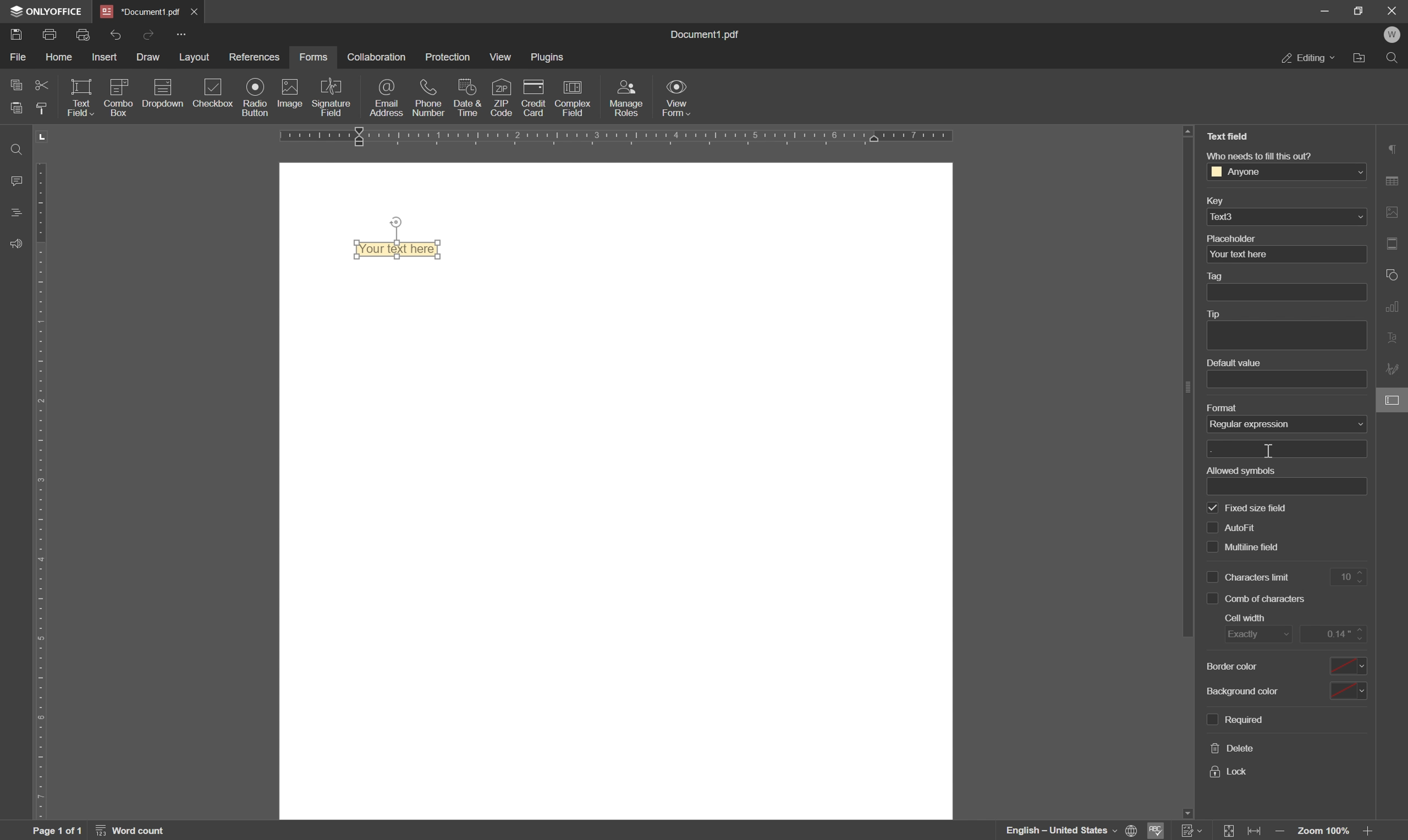  I want to click on checkbox, so click(1212, 575).